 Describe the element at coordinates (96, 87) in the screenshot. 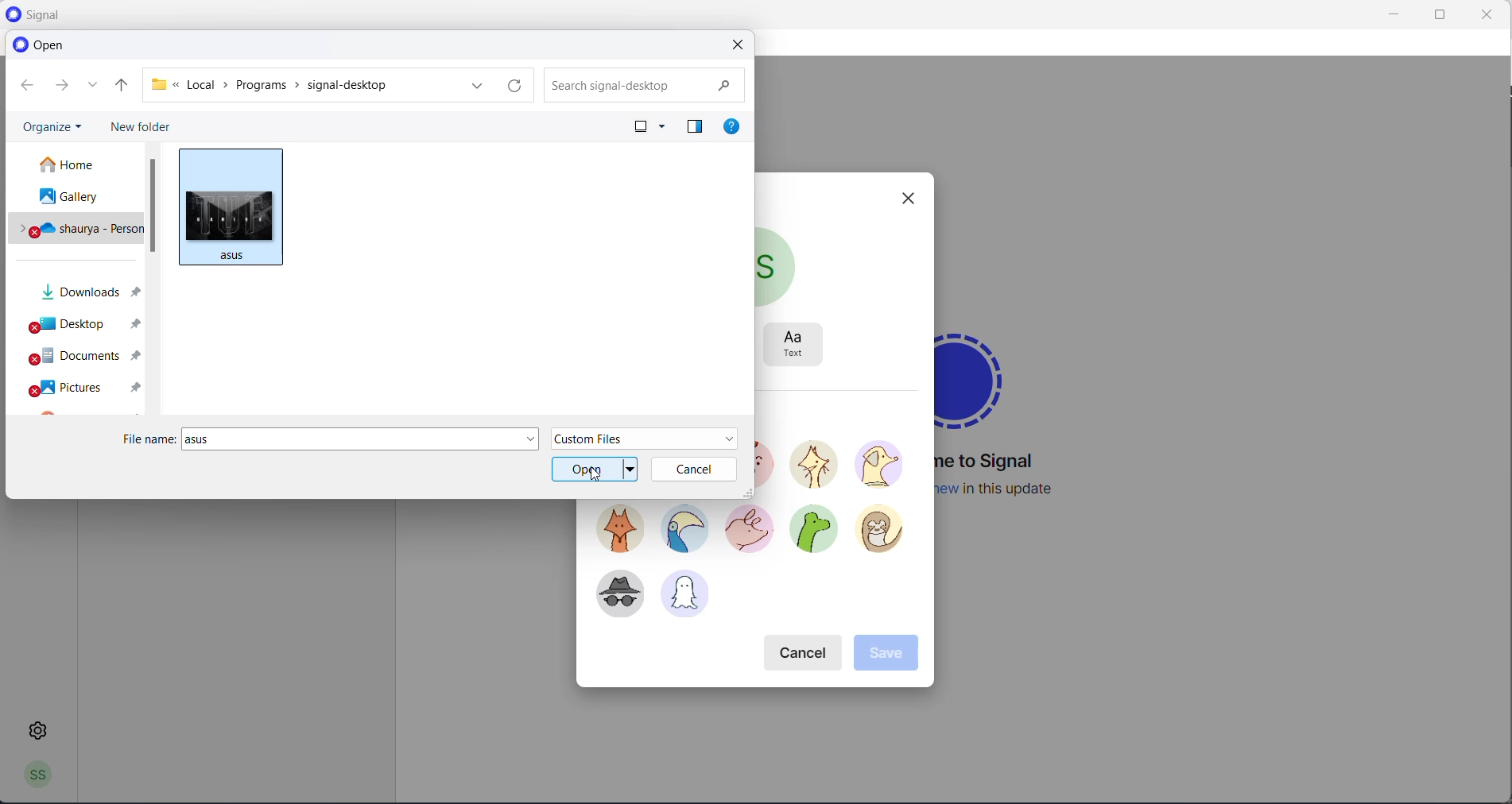

I see `recently accessed` at that location.